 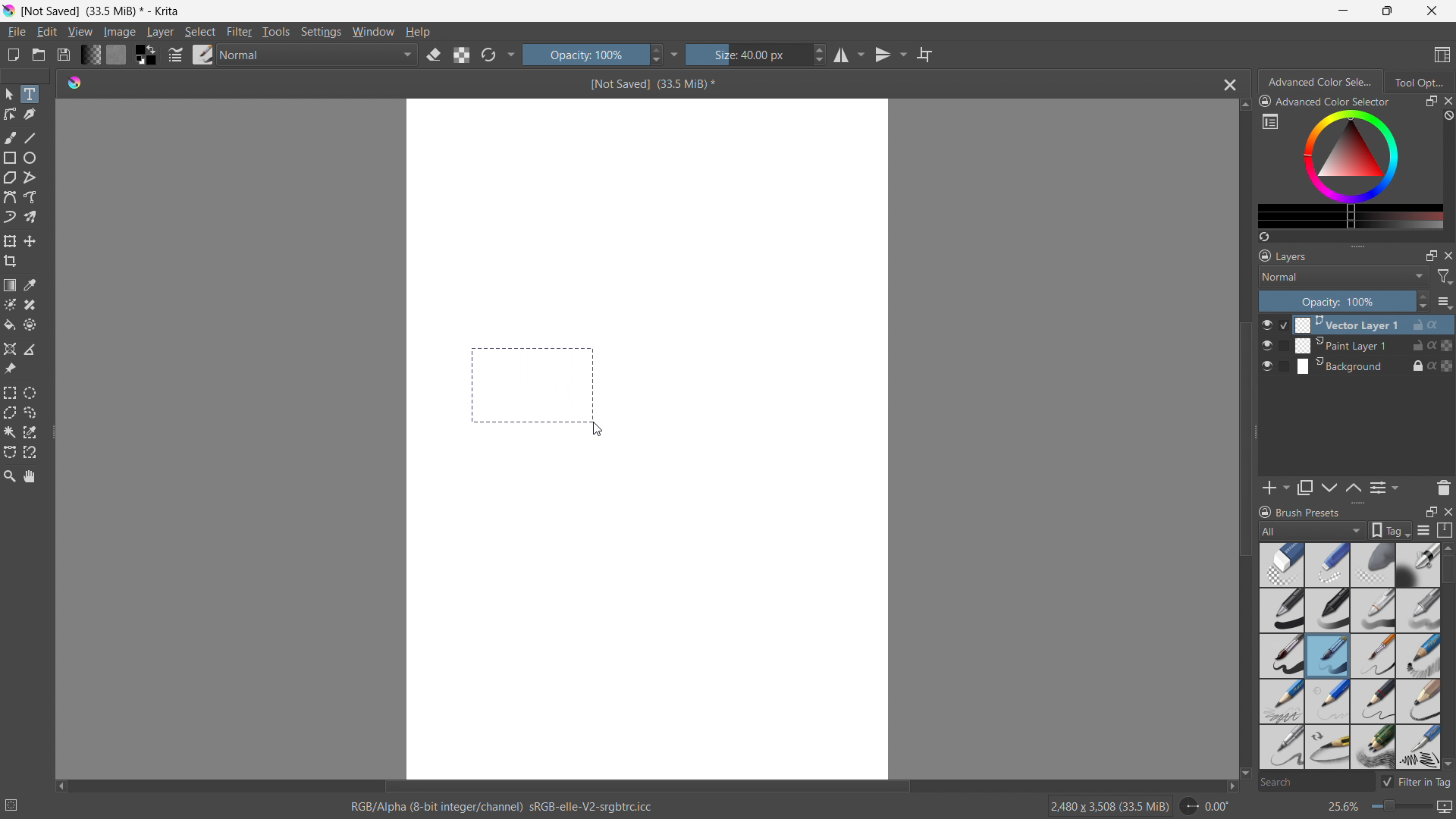 I want to click on fill a contiguous area of color with a color, so click(x=9, y=325).